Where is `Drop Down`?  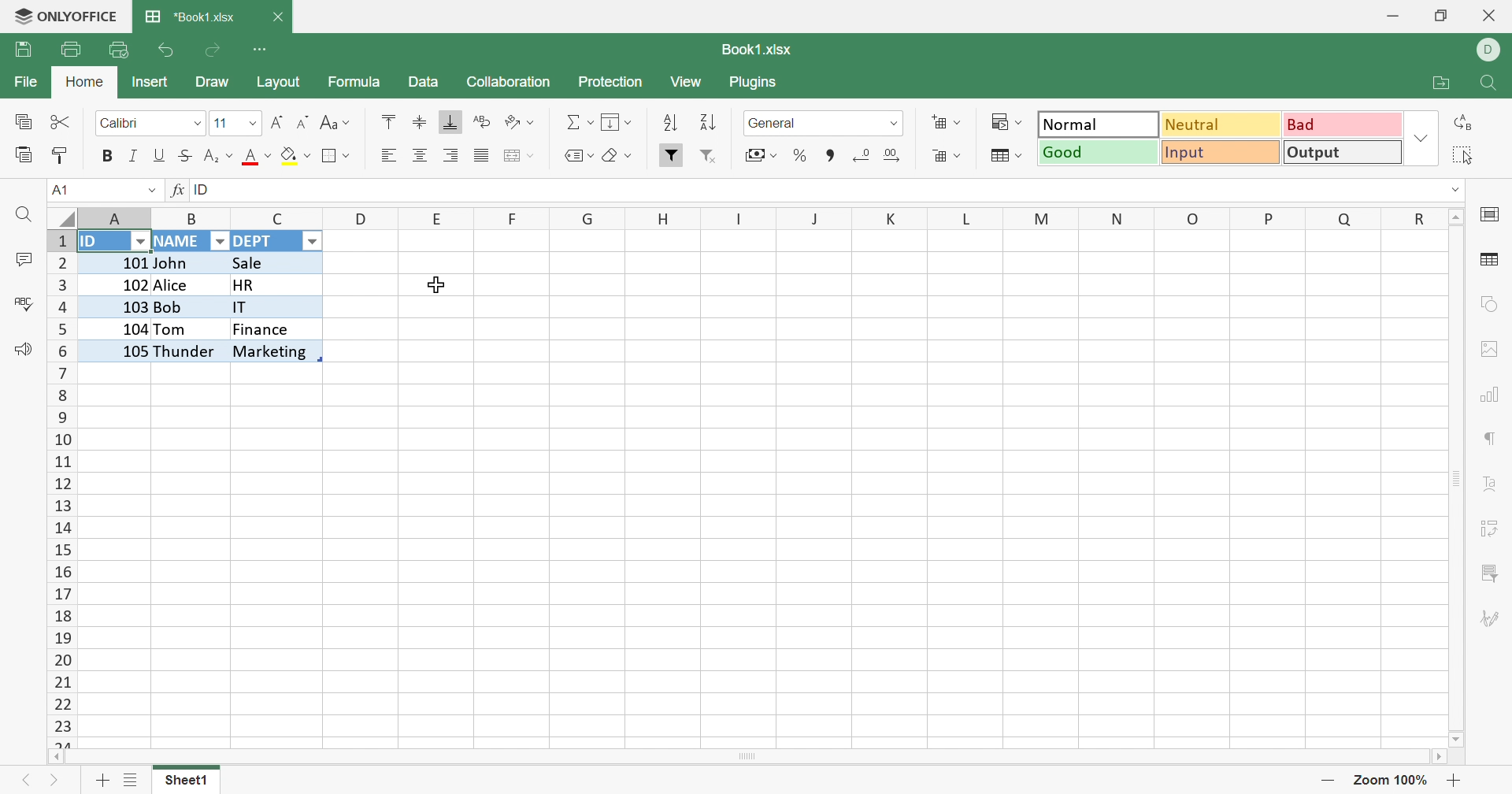 Drop Down is located at coordinates (150, 193).